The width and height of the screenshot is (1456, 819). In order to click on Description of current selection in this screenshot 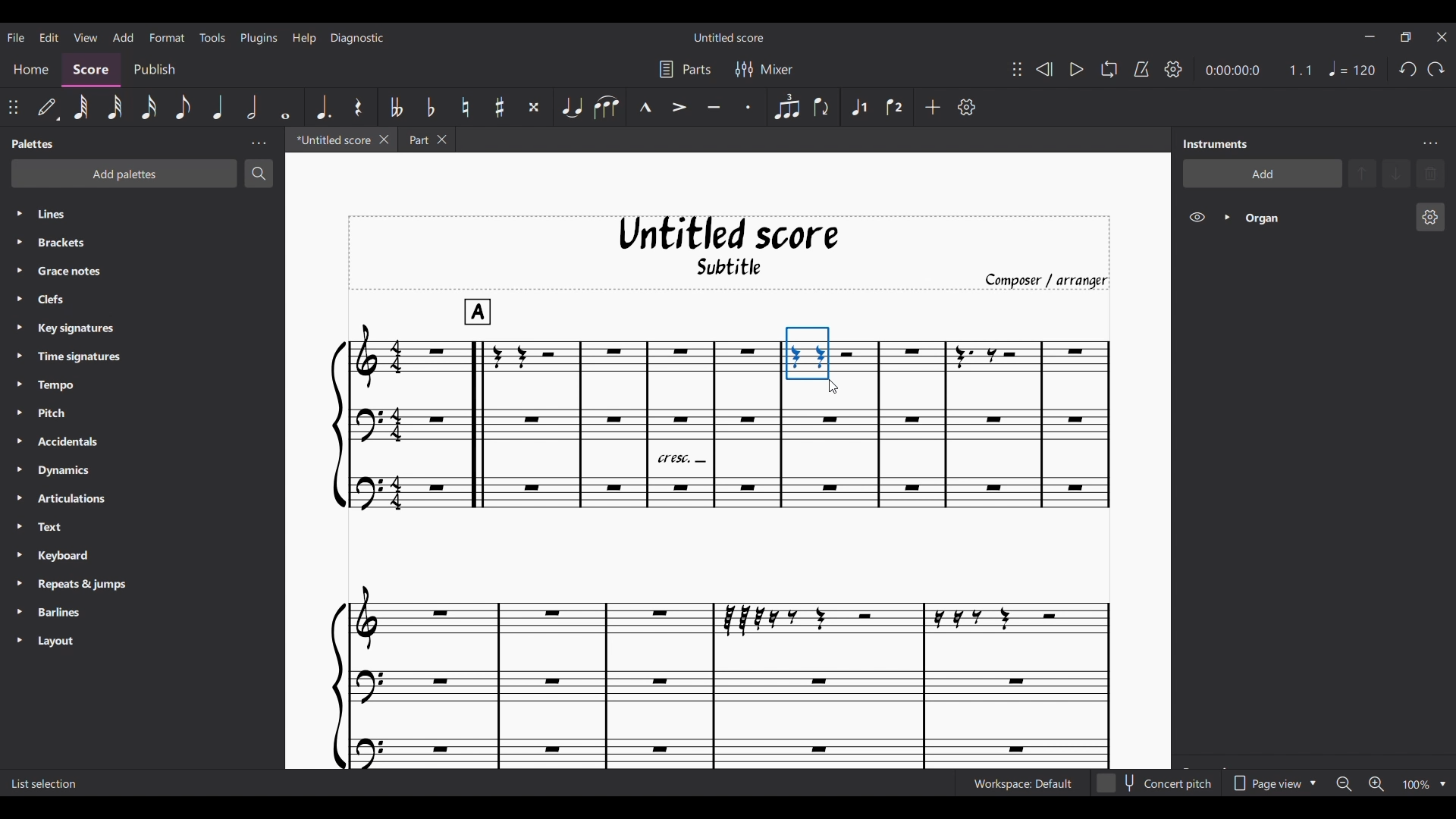, I will do `click(47, 783)`.